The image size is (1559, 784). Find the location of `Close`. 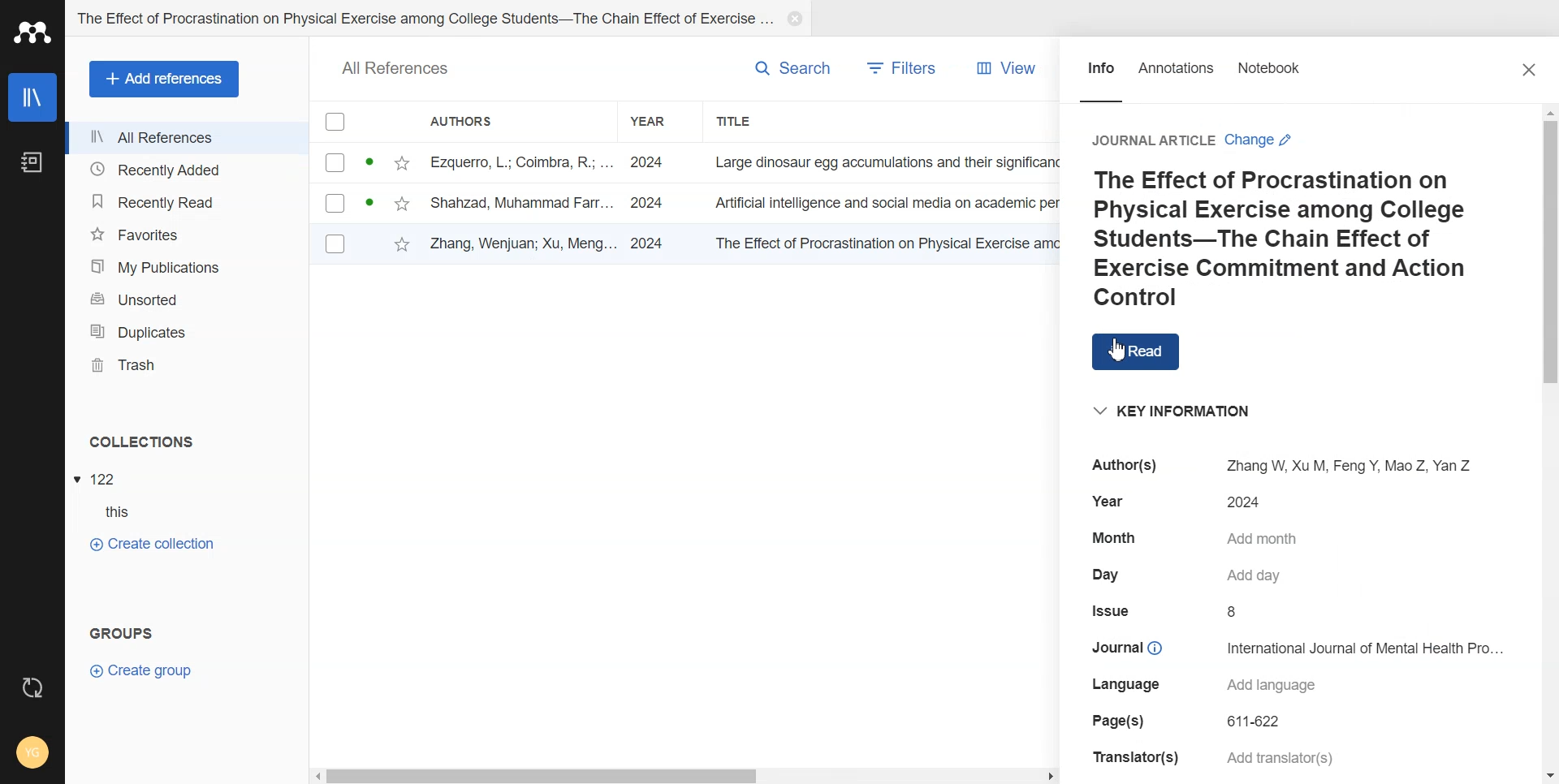

Close is located at coordinates (1532, 72).